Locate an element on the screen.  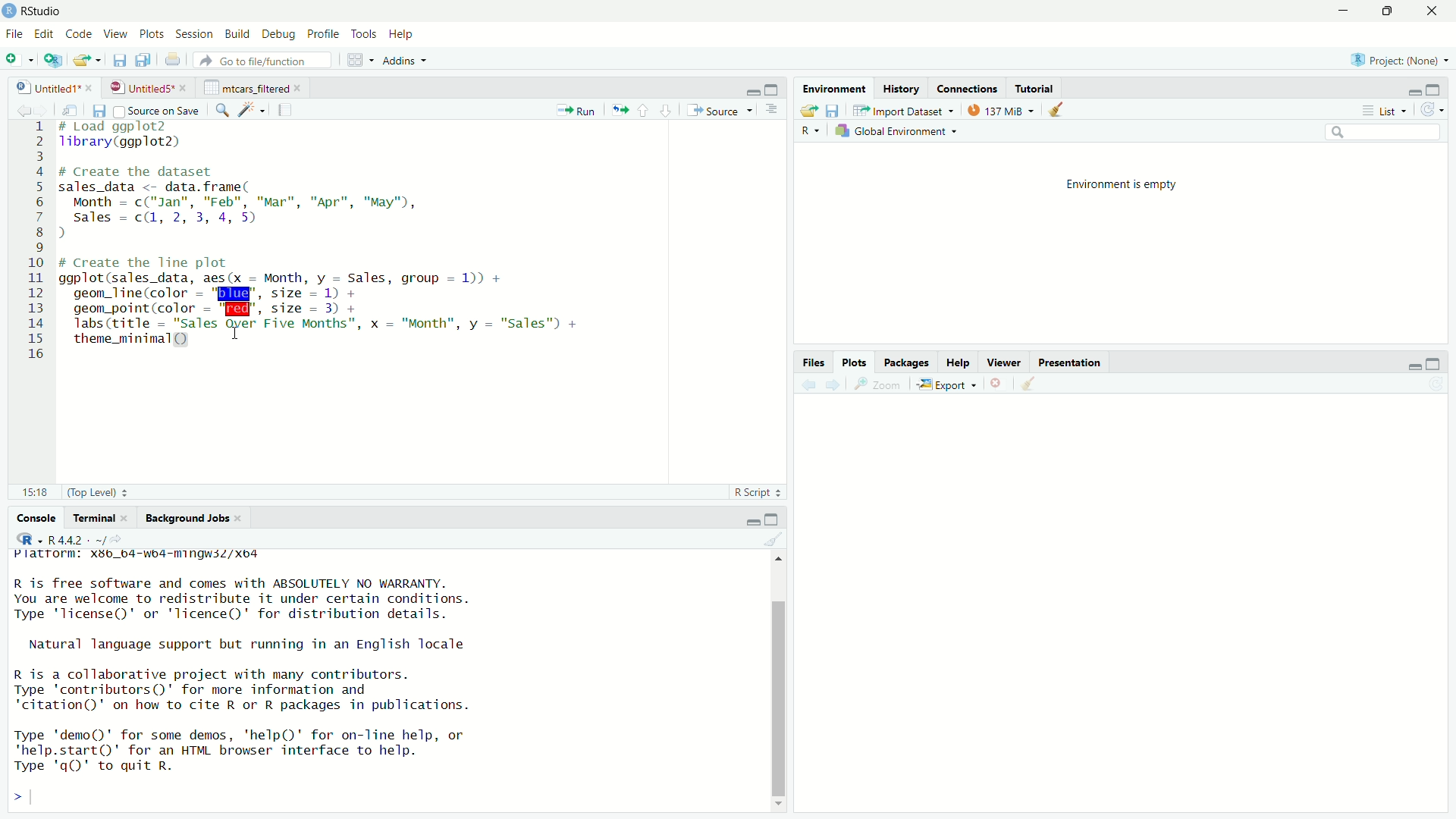
forward is located at coordinates (48, 111).